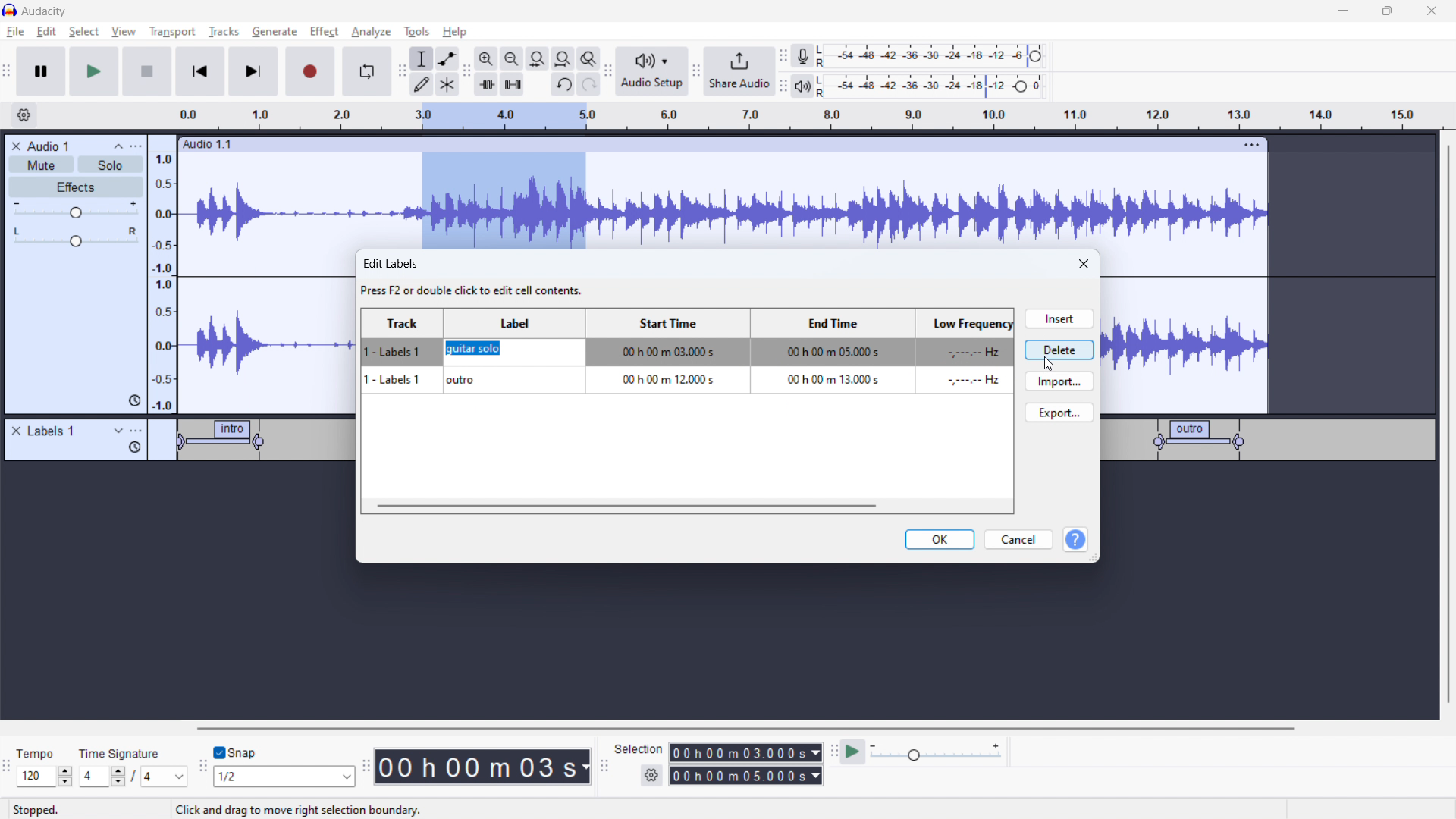  What do you see at coordinates (602, 767) in the screenshot?
I see `selection toolbar` at bounding box center [602, 767].